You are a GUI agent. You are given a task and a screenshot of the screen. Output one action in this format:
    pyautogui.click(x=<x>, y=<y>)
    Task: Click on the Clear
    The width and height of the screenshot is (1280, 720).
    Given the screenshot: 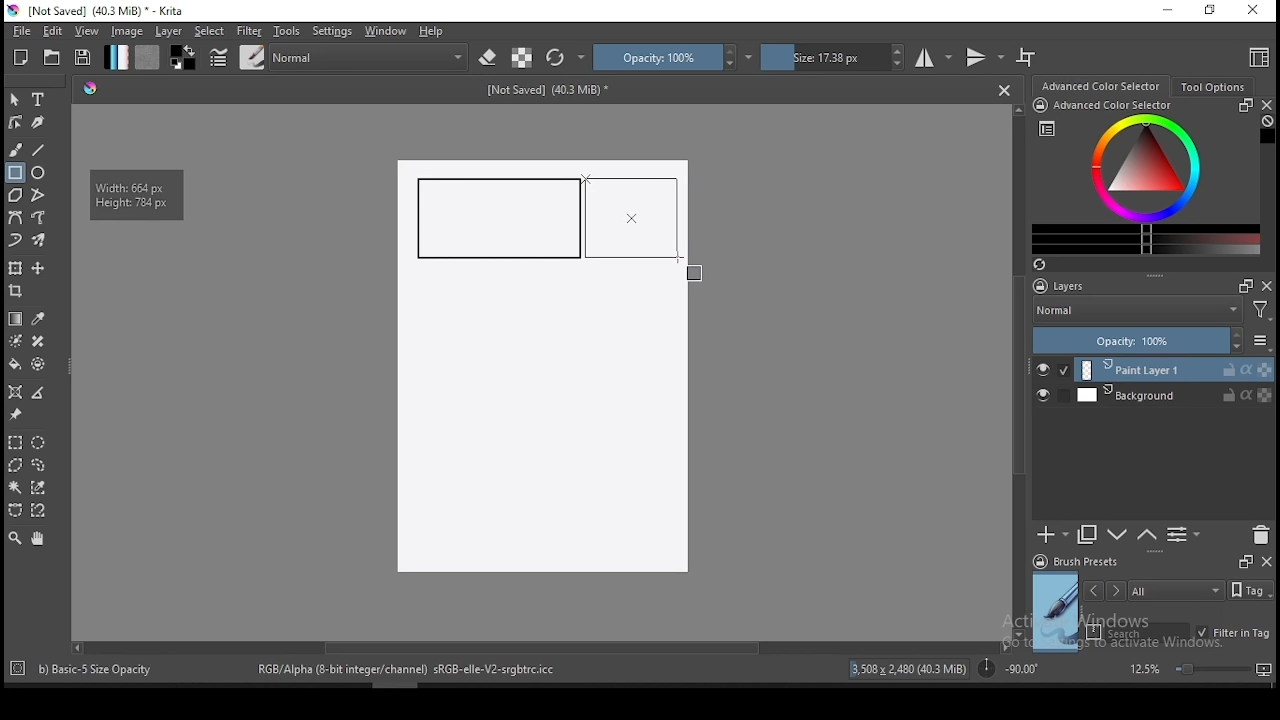 What is the action you would take?
    pyautogui.click(x=1267, y=123)
    